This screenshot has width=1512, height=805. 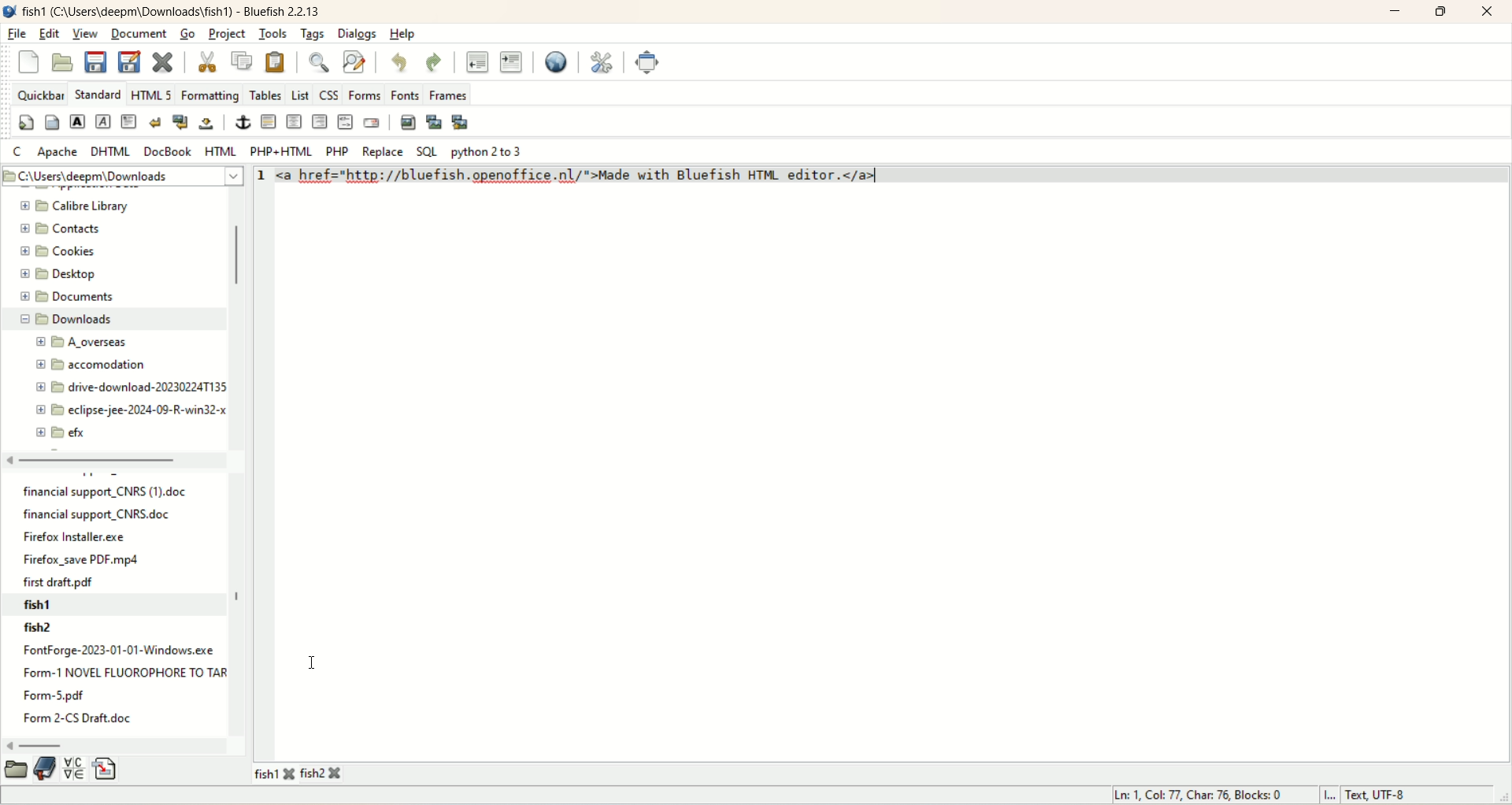 What do you see at coordinates (1329, 794) in the screenshot?
I see `I` at bounding box center [1329, 794].